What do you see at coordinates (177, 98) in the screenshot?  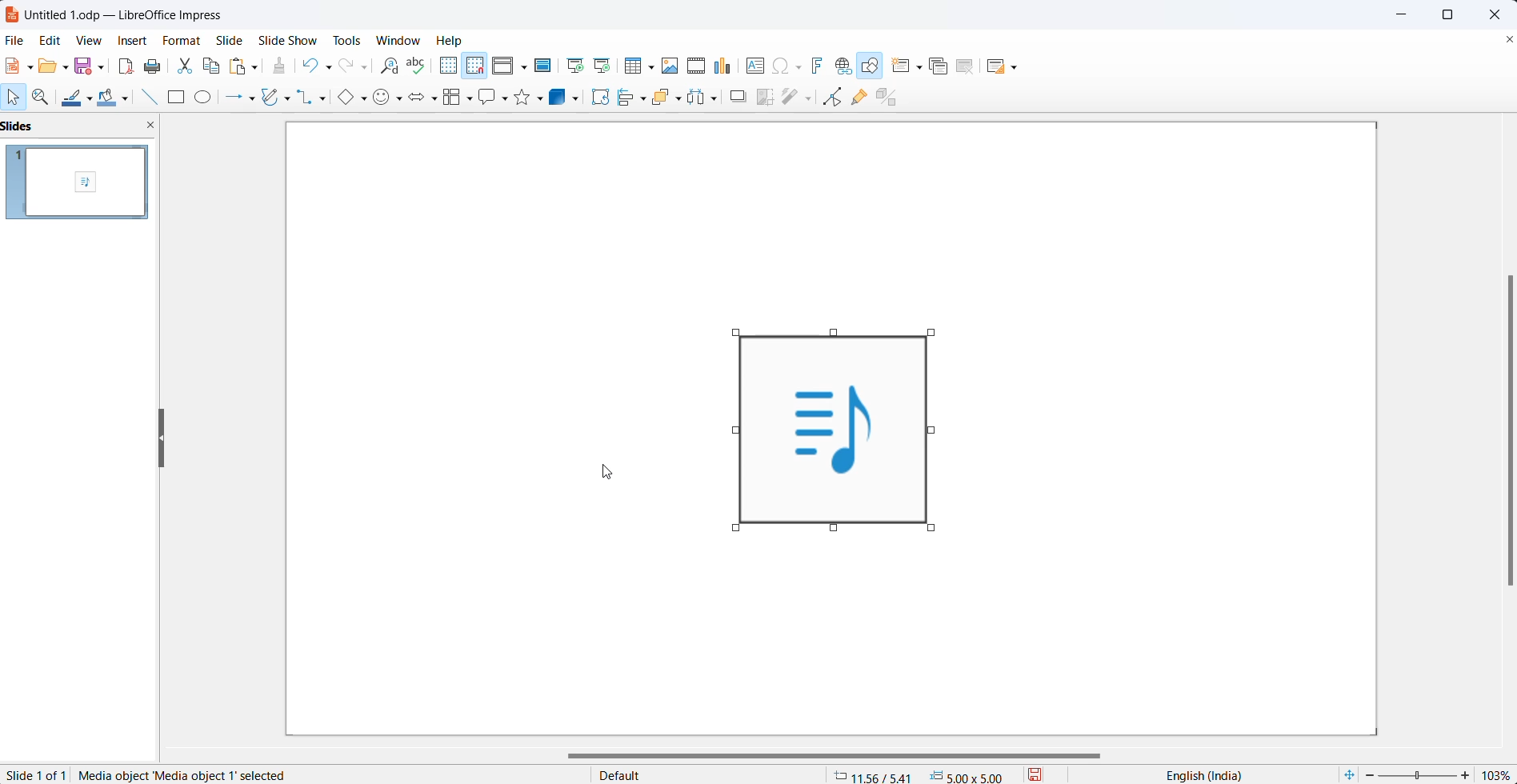 I see `rectangle` at bounding box center [177, 98].